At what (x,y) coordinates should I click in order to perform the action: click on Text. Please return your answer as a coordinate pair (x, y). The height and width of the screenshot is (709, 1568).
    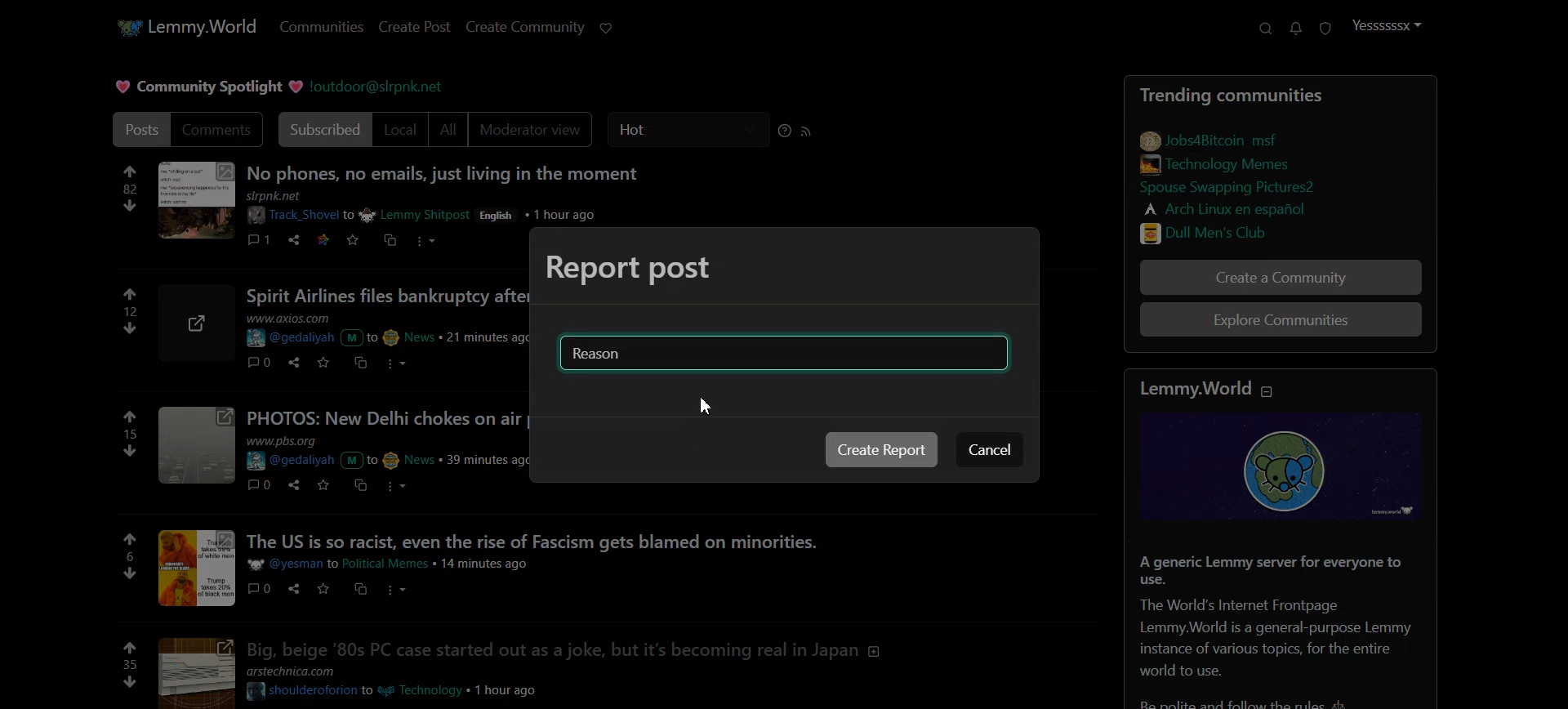
    Looking at the image, I should click on (629, 266).